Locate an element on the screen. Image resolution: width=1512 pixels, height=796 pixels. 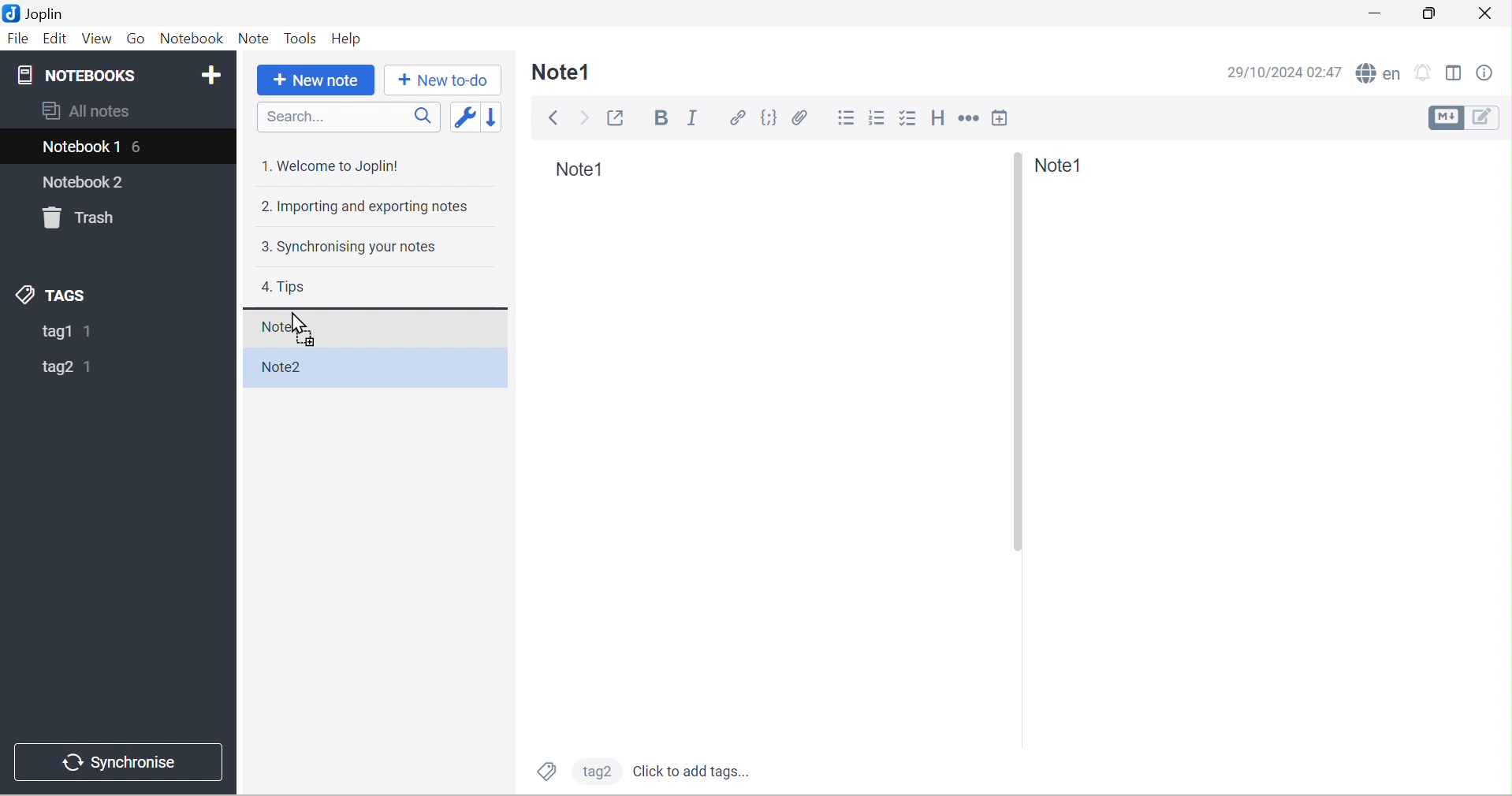
Toggle editors is located at coordinates (1467, 118).